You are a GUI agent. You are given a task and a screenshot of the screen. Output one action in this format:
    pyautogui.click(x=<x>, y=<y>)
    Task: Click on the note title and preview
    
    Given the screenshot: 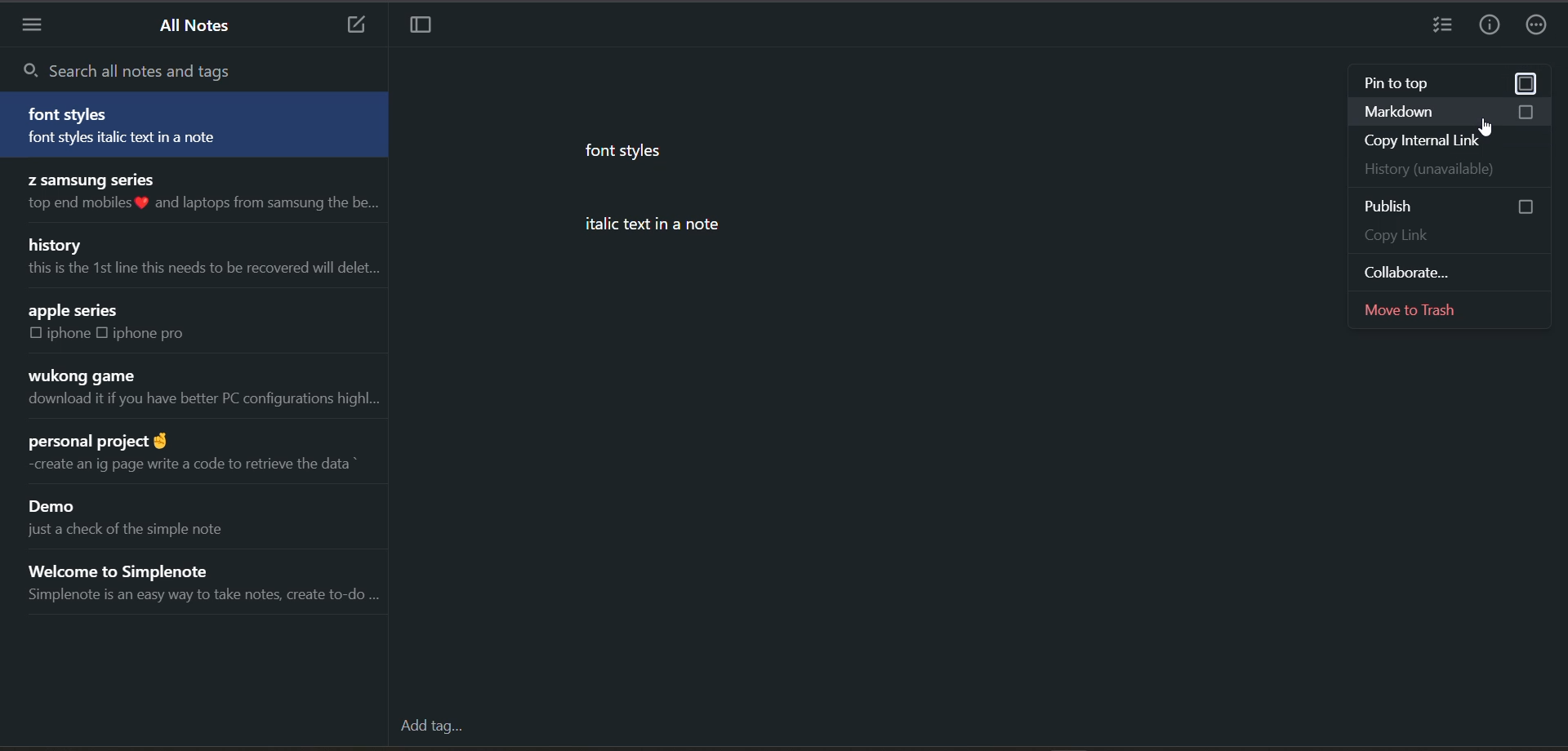 What is the action you would take?
    pyautogui.click(x=136, y=327)
    